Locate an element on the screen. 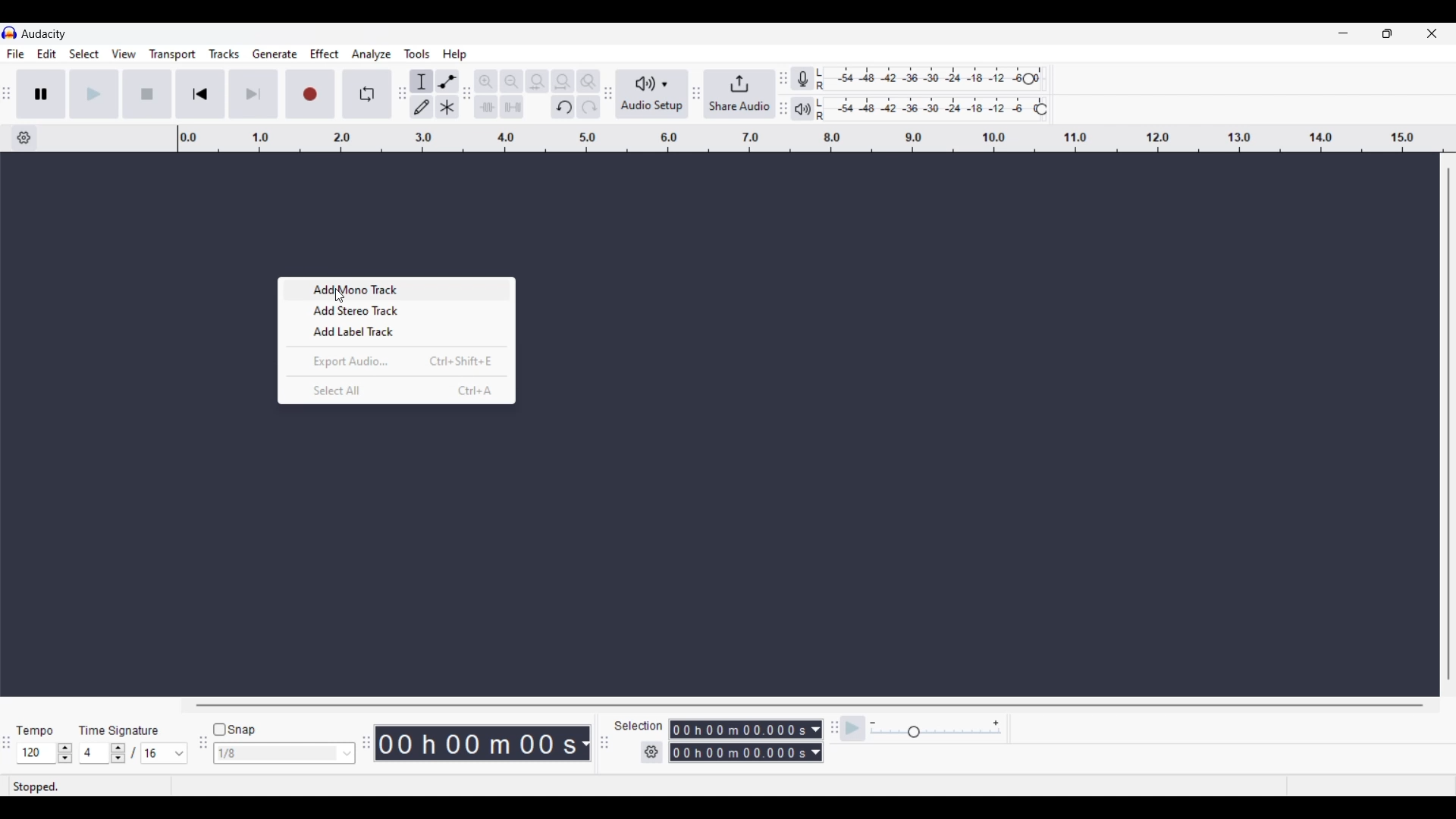  Text is located at coordinates (36, 731).